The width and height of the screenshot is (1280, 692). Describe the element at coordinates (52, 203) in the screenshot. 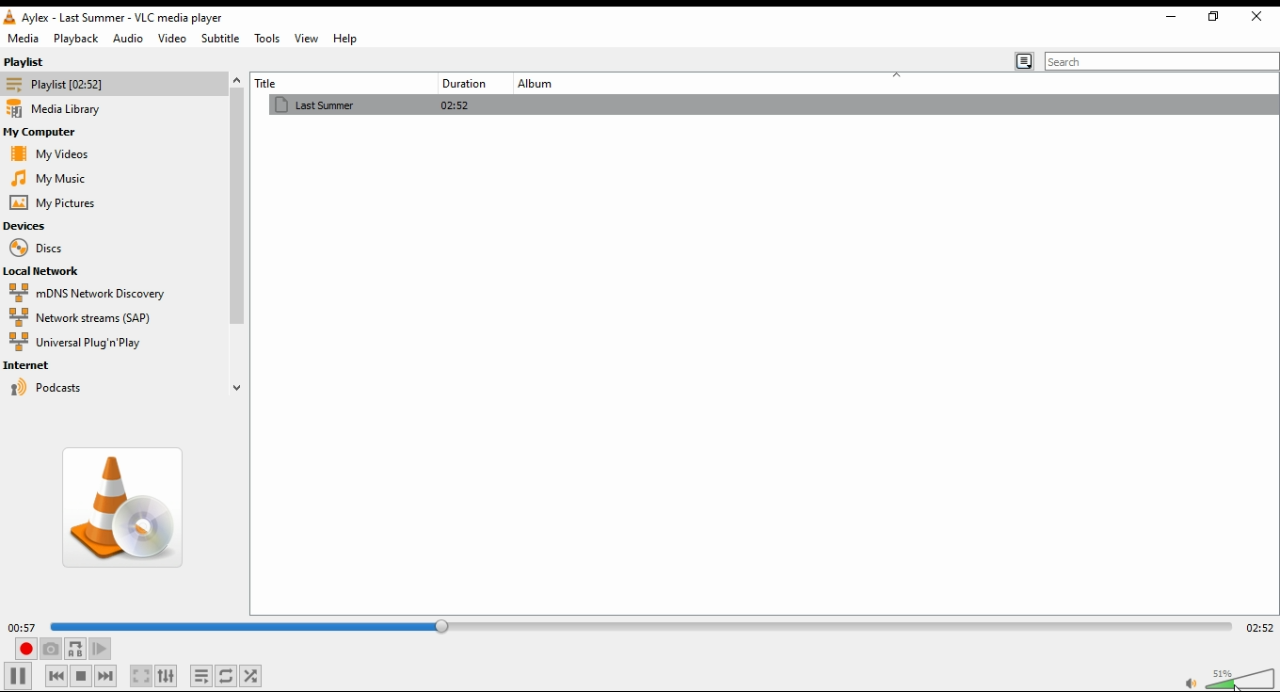

I see `my pictures` at that location.